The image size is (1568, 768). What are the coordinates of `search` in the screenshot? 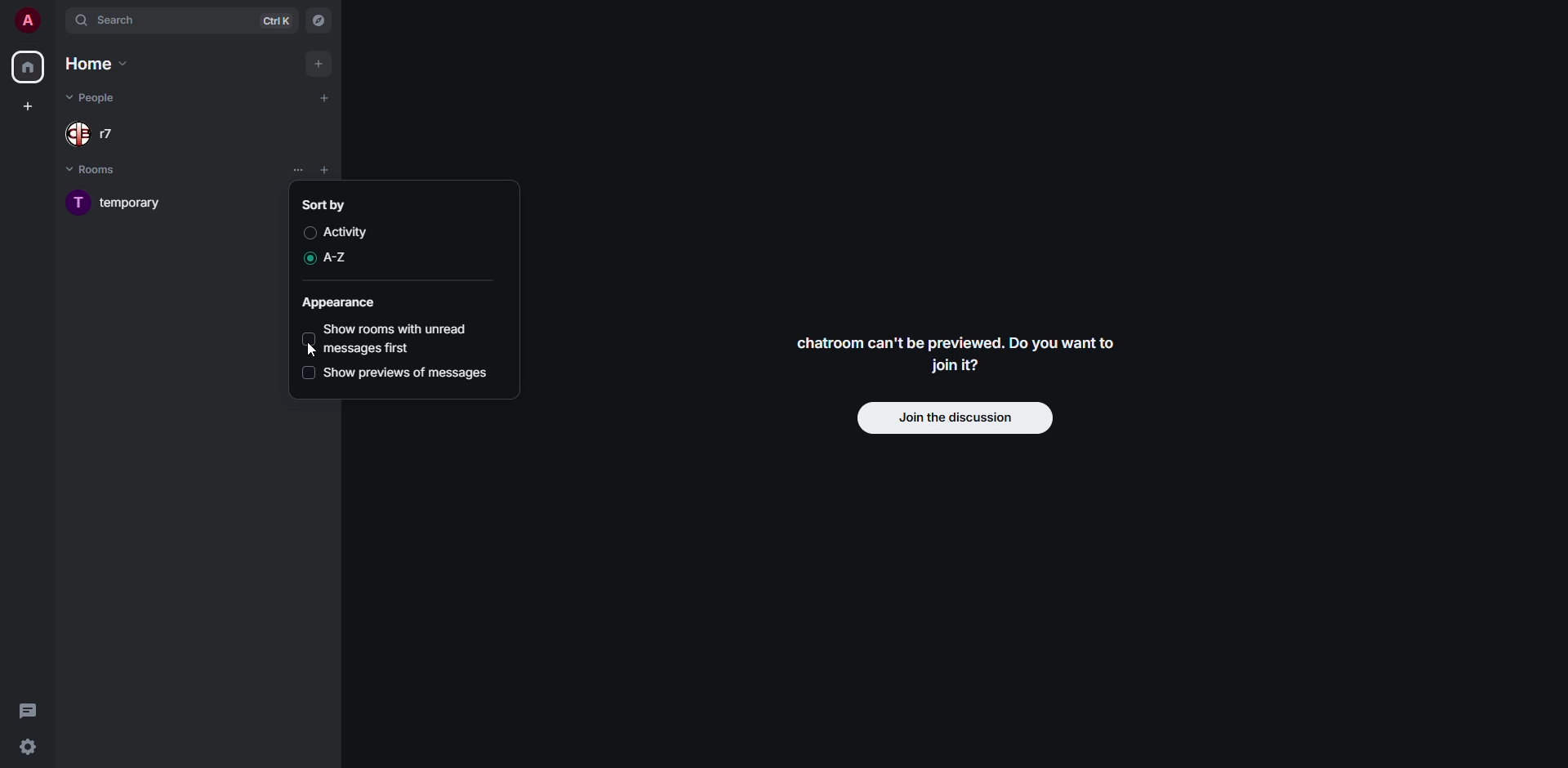 It's located at (108, 21).